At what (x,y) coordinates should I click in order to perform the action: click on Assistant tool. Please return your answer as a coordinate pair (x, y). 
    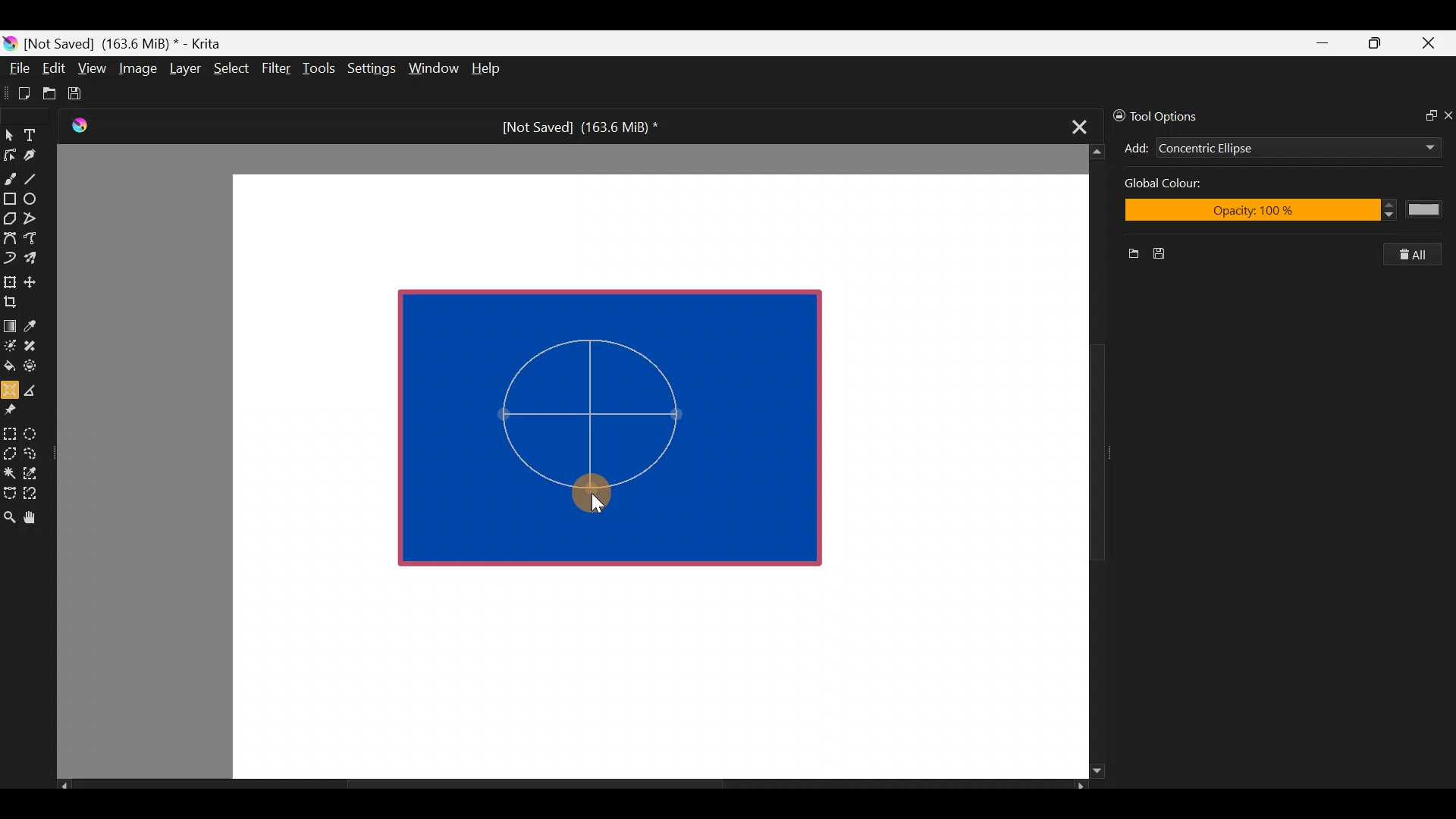
    Looking at the image, I should click on (9, 385).